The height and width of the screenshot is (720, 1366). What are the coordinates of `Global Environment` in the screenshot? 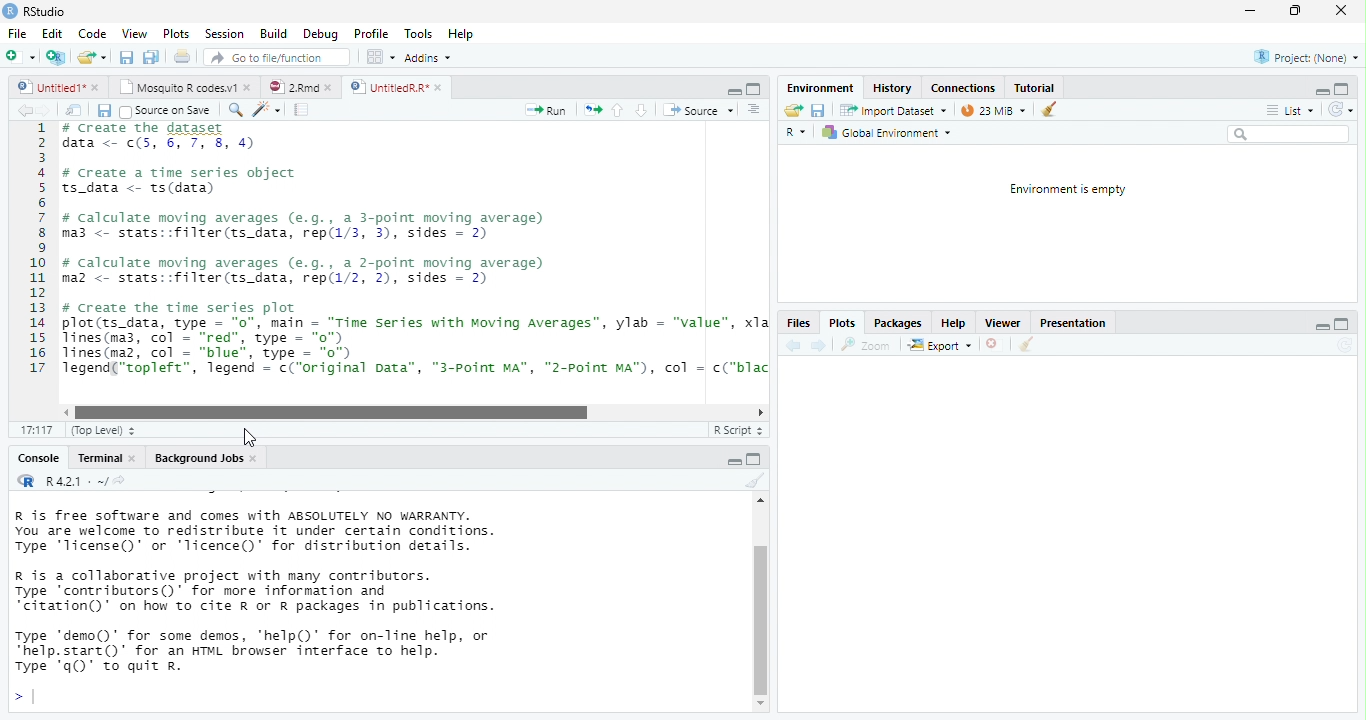 It's located at (886, 133).